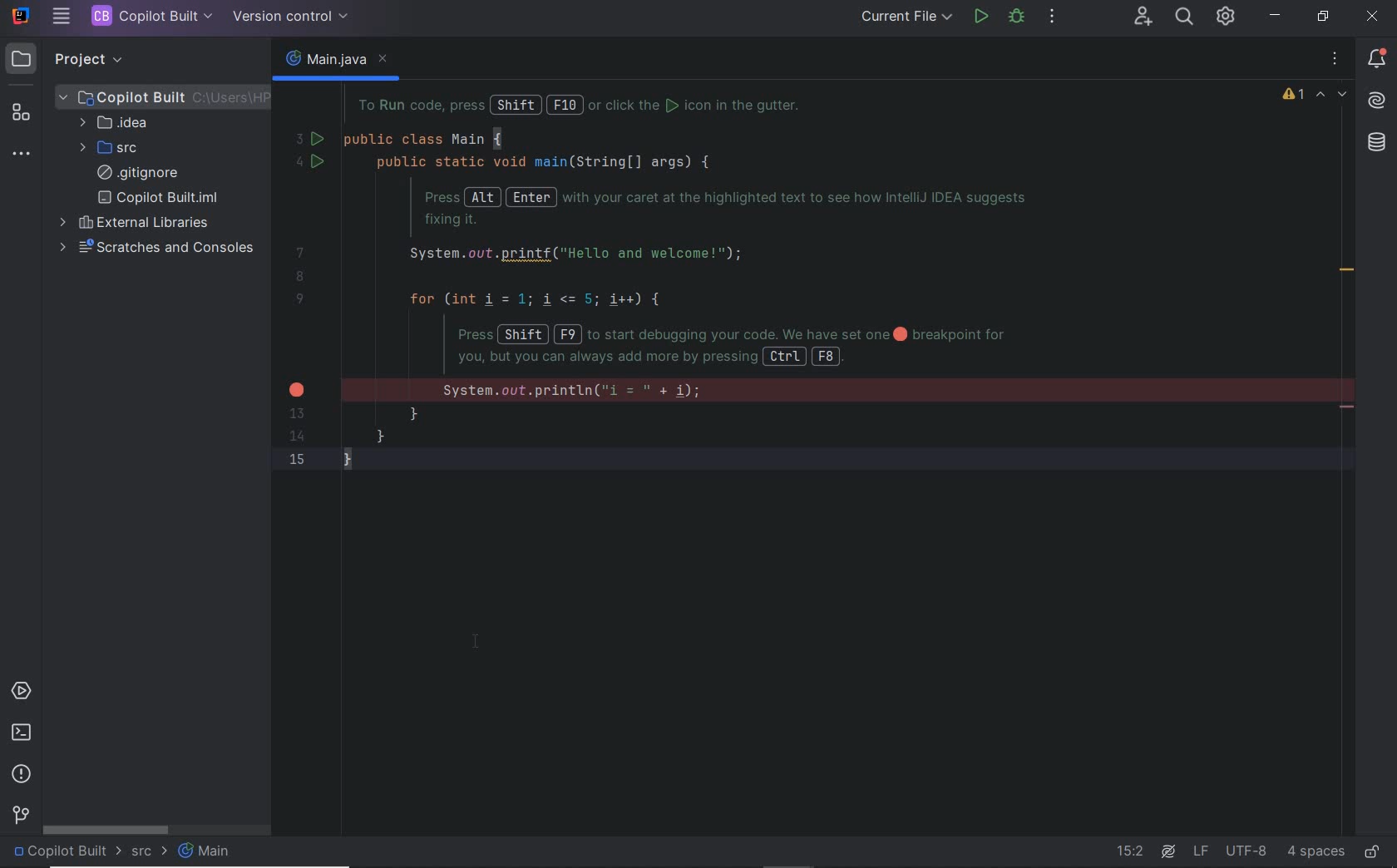 The height and width of the screenshot is (868, 1397). I want to click on indent, so click(1314, 852).